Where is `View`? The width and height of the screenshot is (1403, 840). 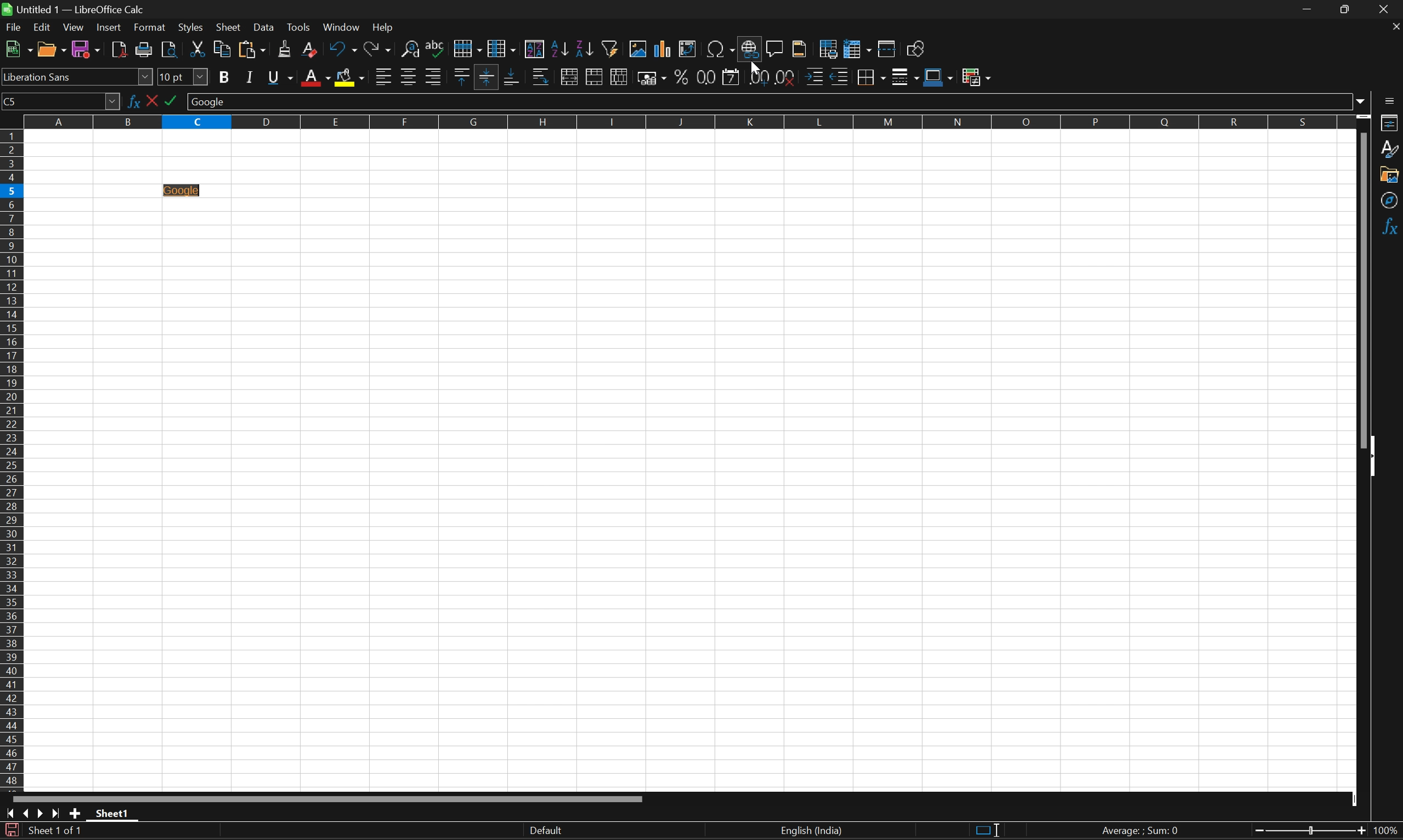
View is located at coordinates (73, 28).